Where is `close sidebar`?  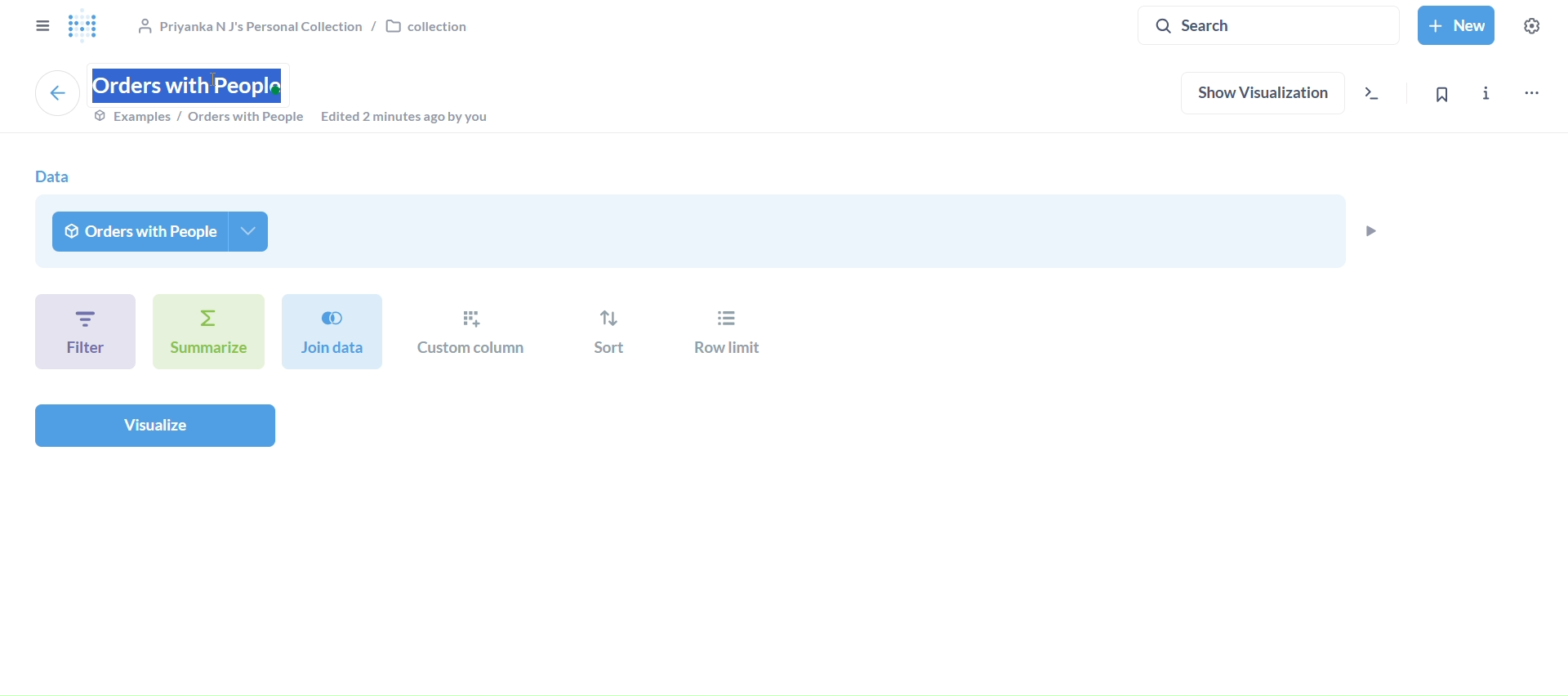
close sidebar is located at coordinates (40, 26).